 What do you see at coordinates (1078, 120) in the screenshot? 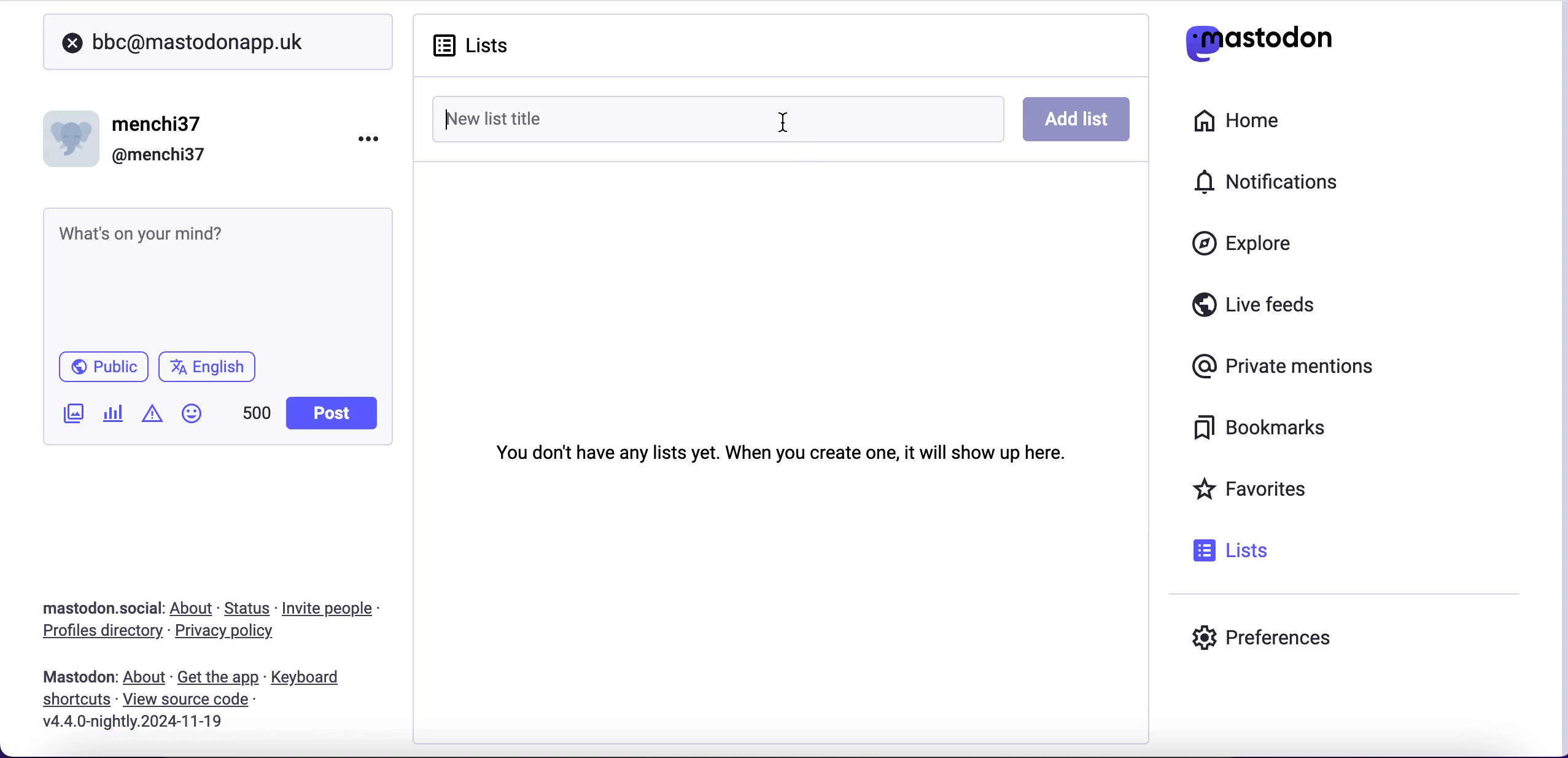
I see `add title` at bounding box center [1078, 120].